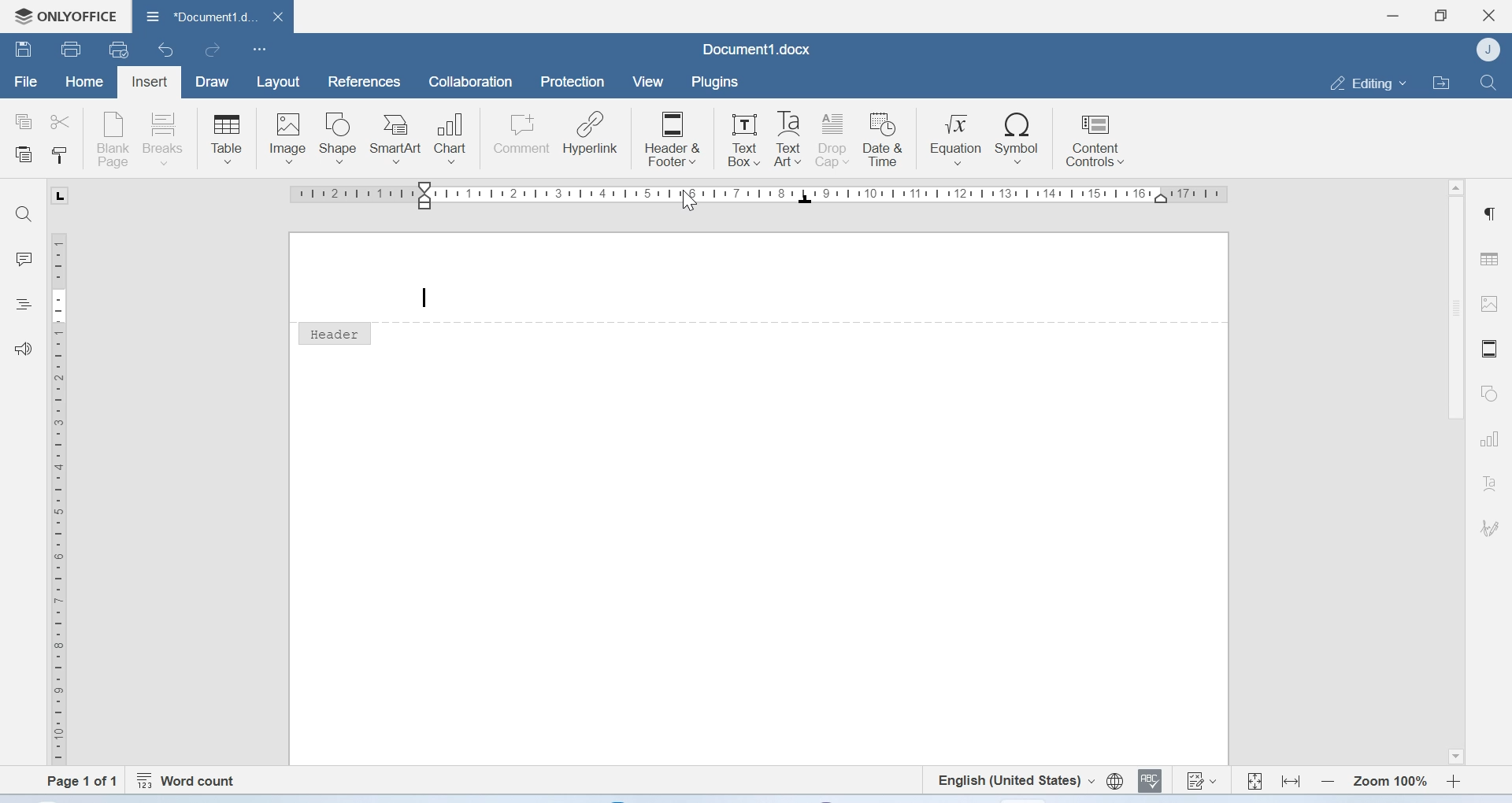 This screenshot has height=803, width=1512. Describe the element at coordinates (121, 50) in the screenshot. I see `uick print` at that location.